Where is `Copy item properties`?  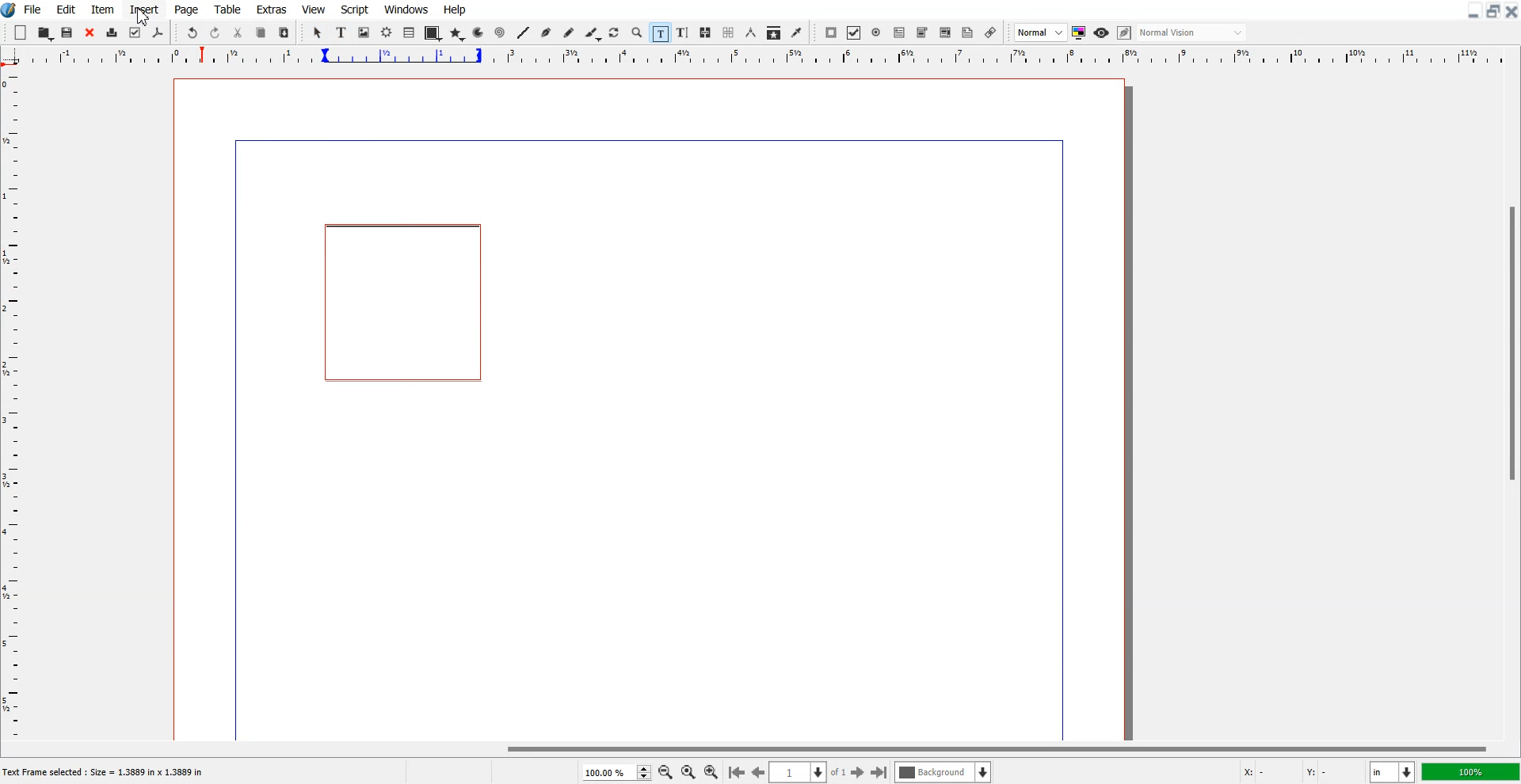 Copy item properties is located at coordinates (774, 33).